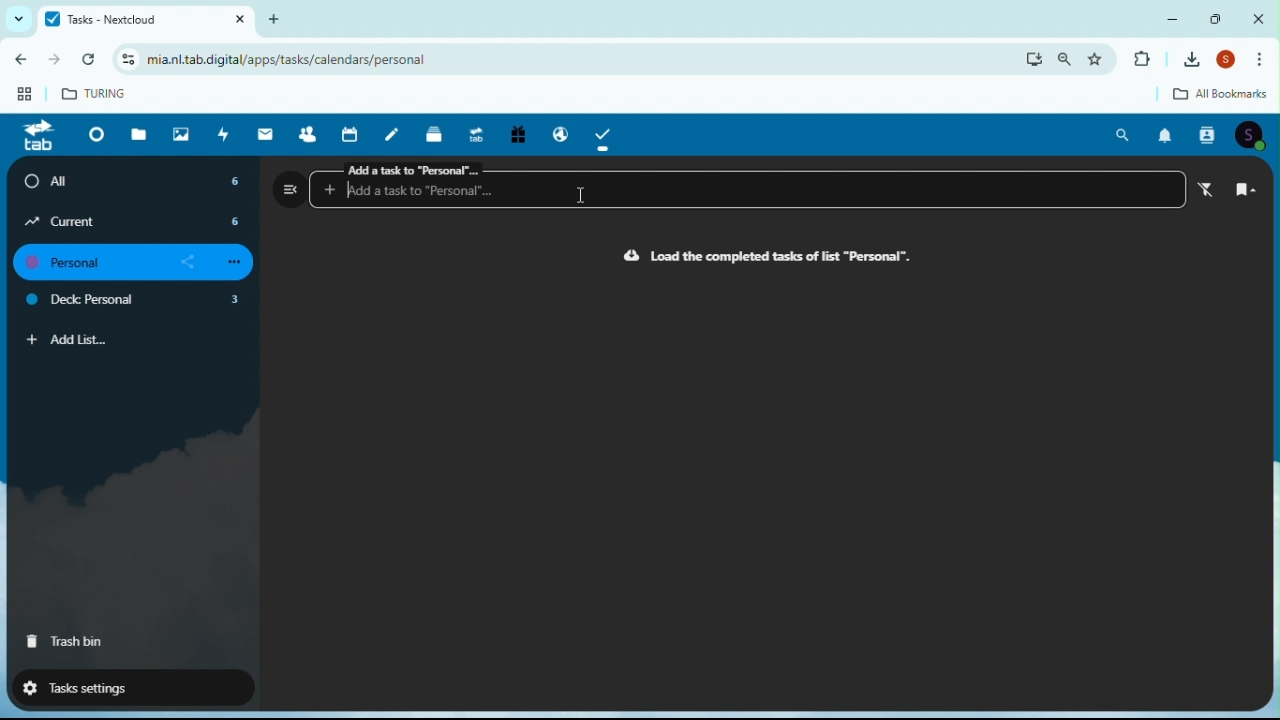 This screenshot has width=1280, height=720. What do you see at coordinates (139, 263) in the screenshot?
I see `Personal` at bounding box center [139, 263].